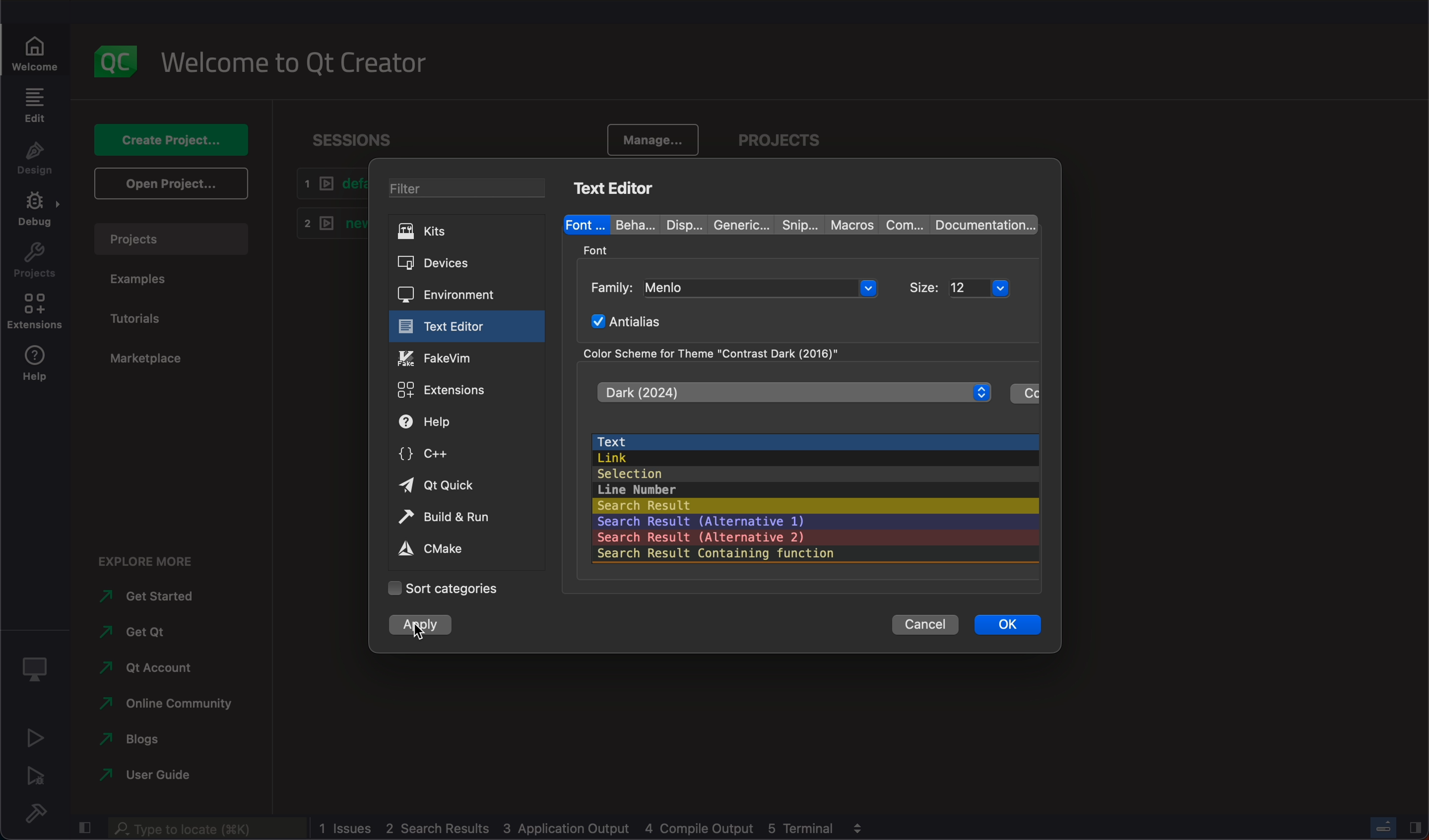 This screenshot has width=1429, height=840. Describe the element at coordinates (613, 286) in the screenshot. I see `family:` at that location.